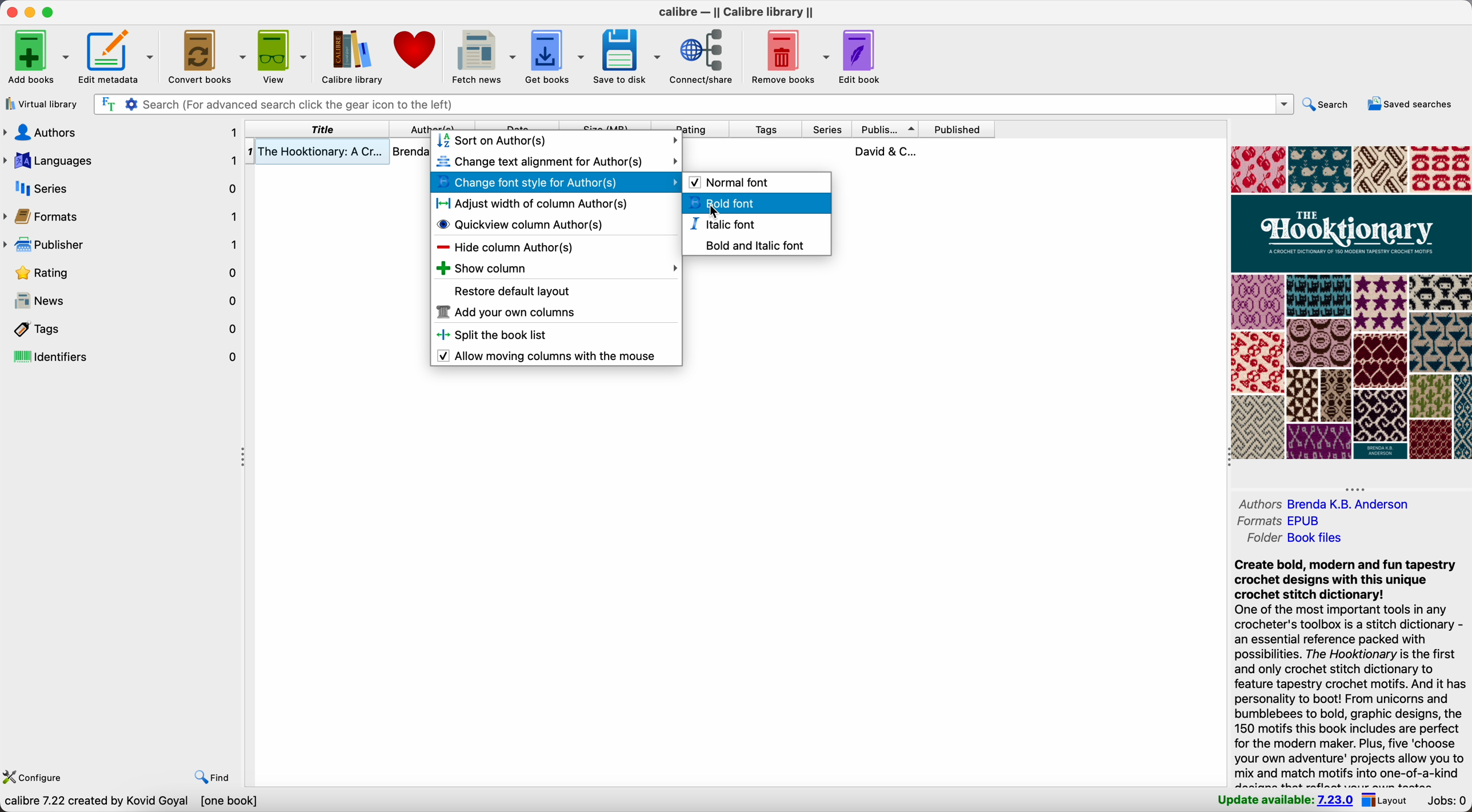  What do you see at coordinates (339, 154) in the screenshot?
I see `The Hooktionary book details` at bounding box center [339, 154].